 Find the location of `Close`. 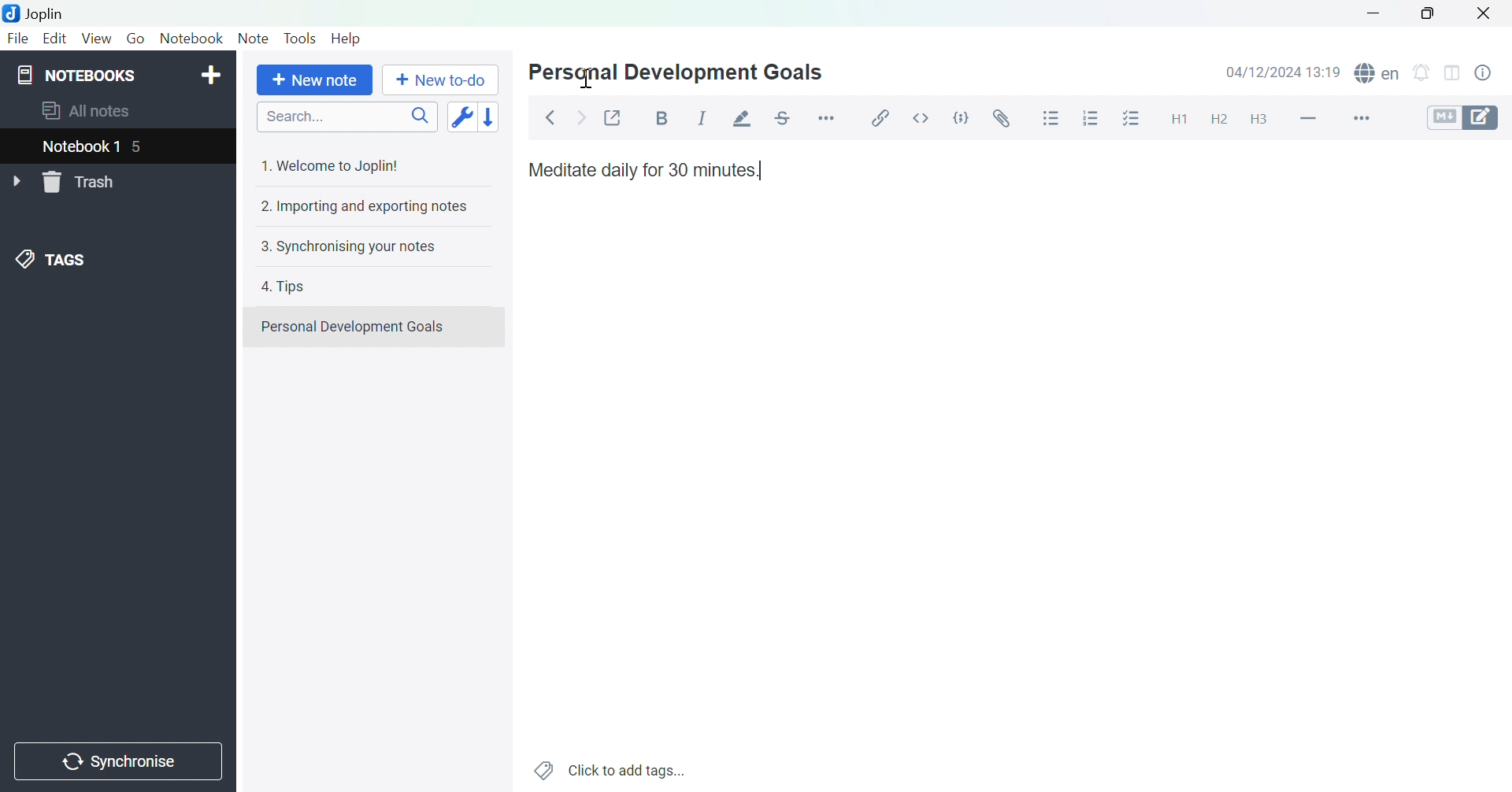

Close is located at coordinates (1484, 13).